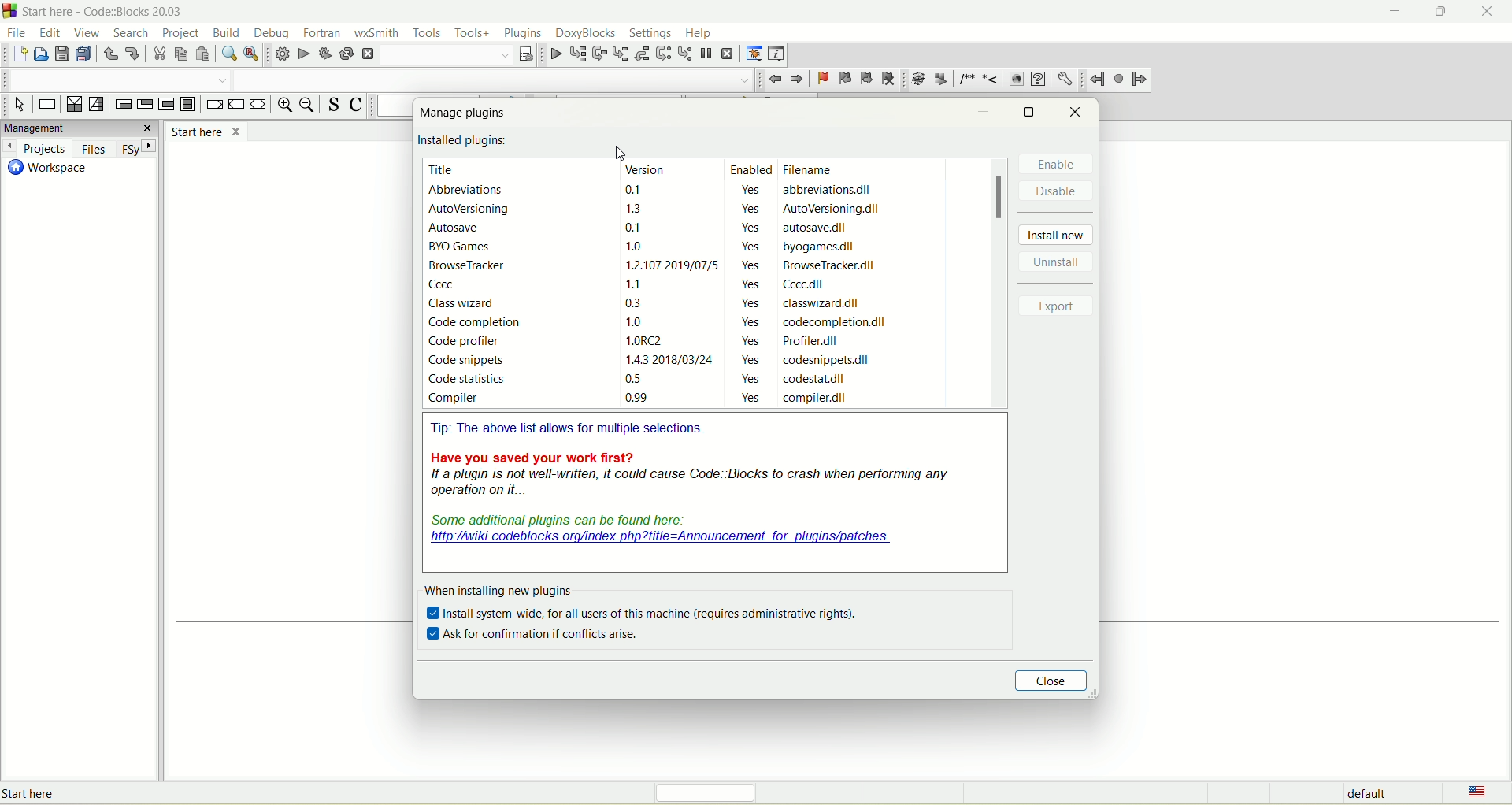 Image resolution: width=1512 pixels, height=805 pixels. Describe the element at coordinates (258, 105) in the screenshot. I see `return instruction` at that location.